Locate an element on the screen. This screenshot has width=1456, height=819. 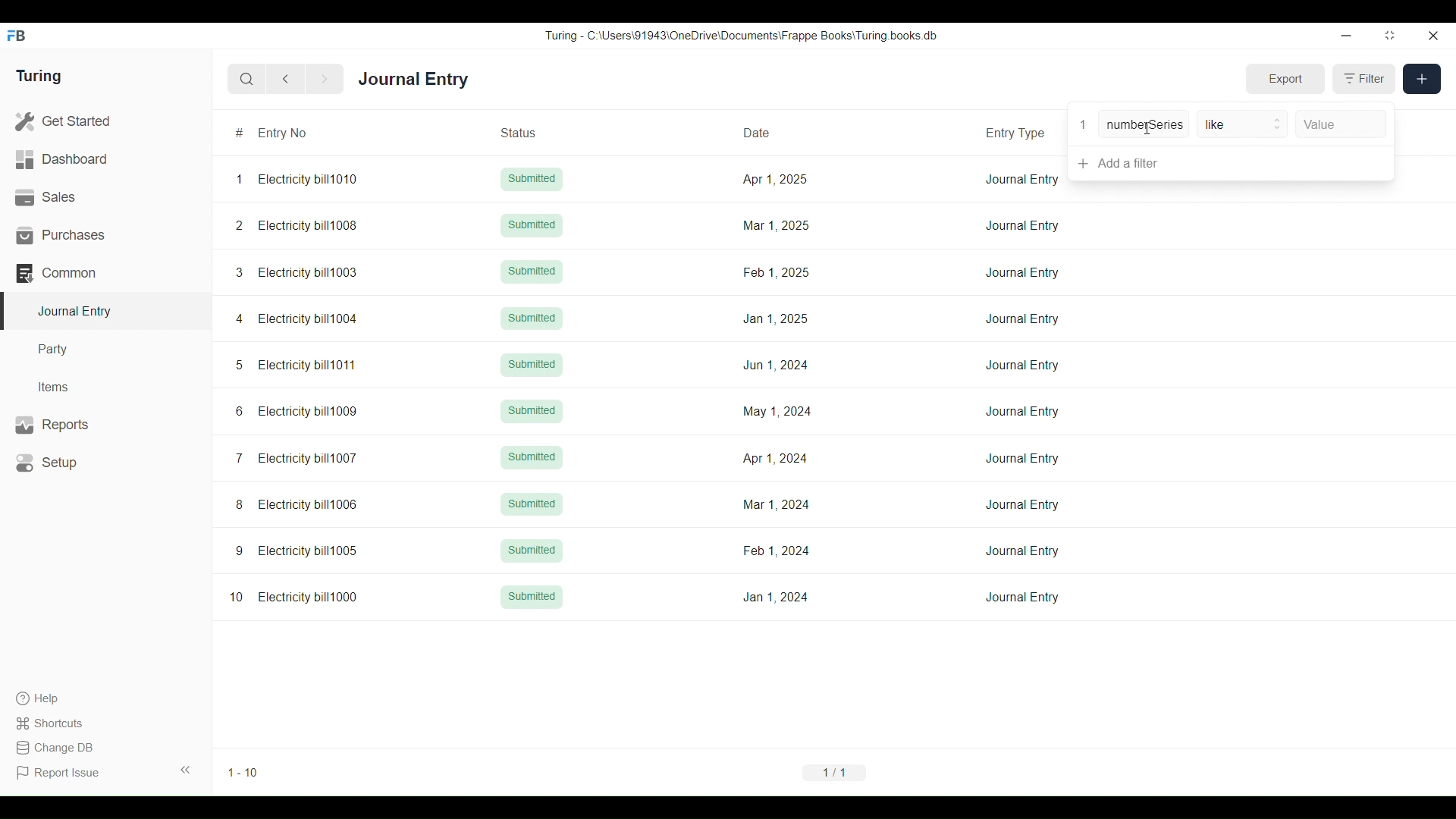
Journal Entry is located at coordinates (1022, 551).